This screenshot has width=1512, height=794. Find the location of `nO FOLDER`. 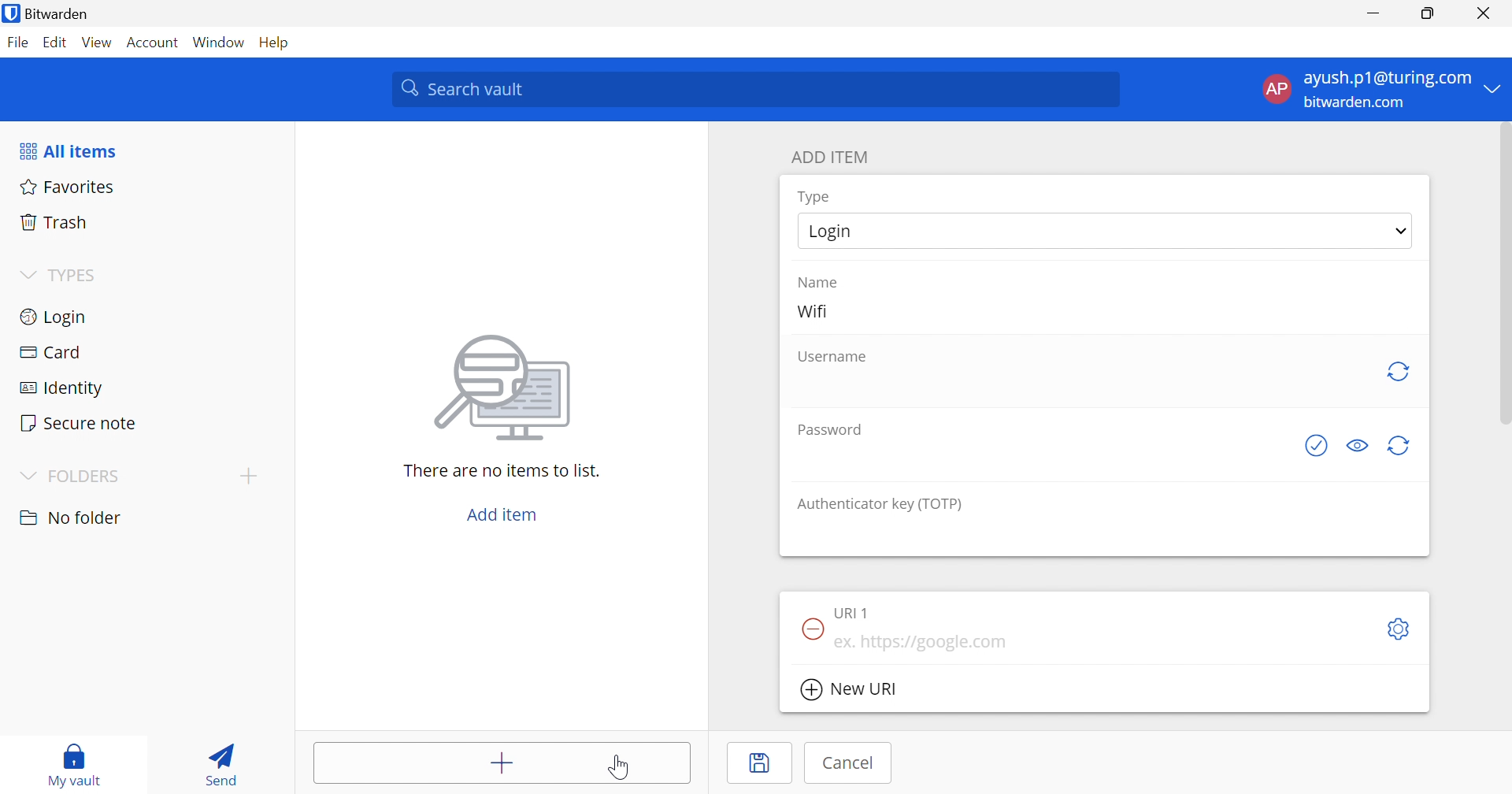

nO FOLDER is located at coordinates (70, 518).